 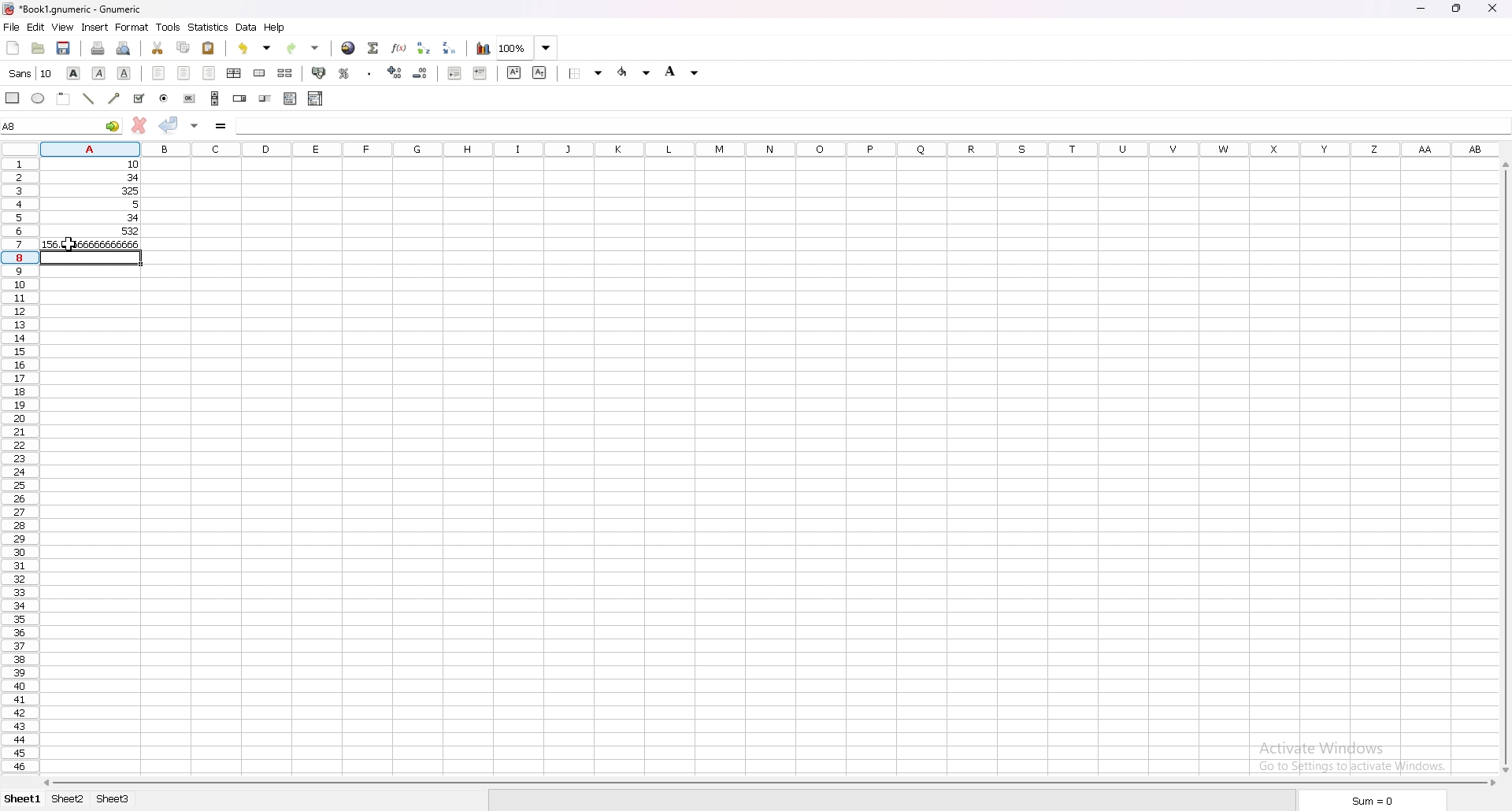 What do you see at coordinates (94, 27) in the screenshot?
I see `insert` at bounding box center [94, 27].